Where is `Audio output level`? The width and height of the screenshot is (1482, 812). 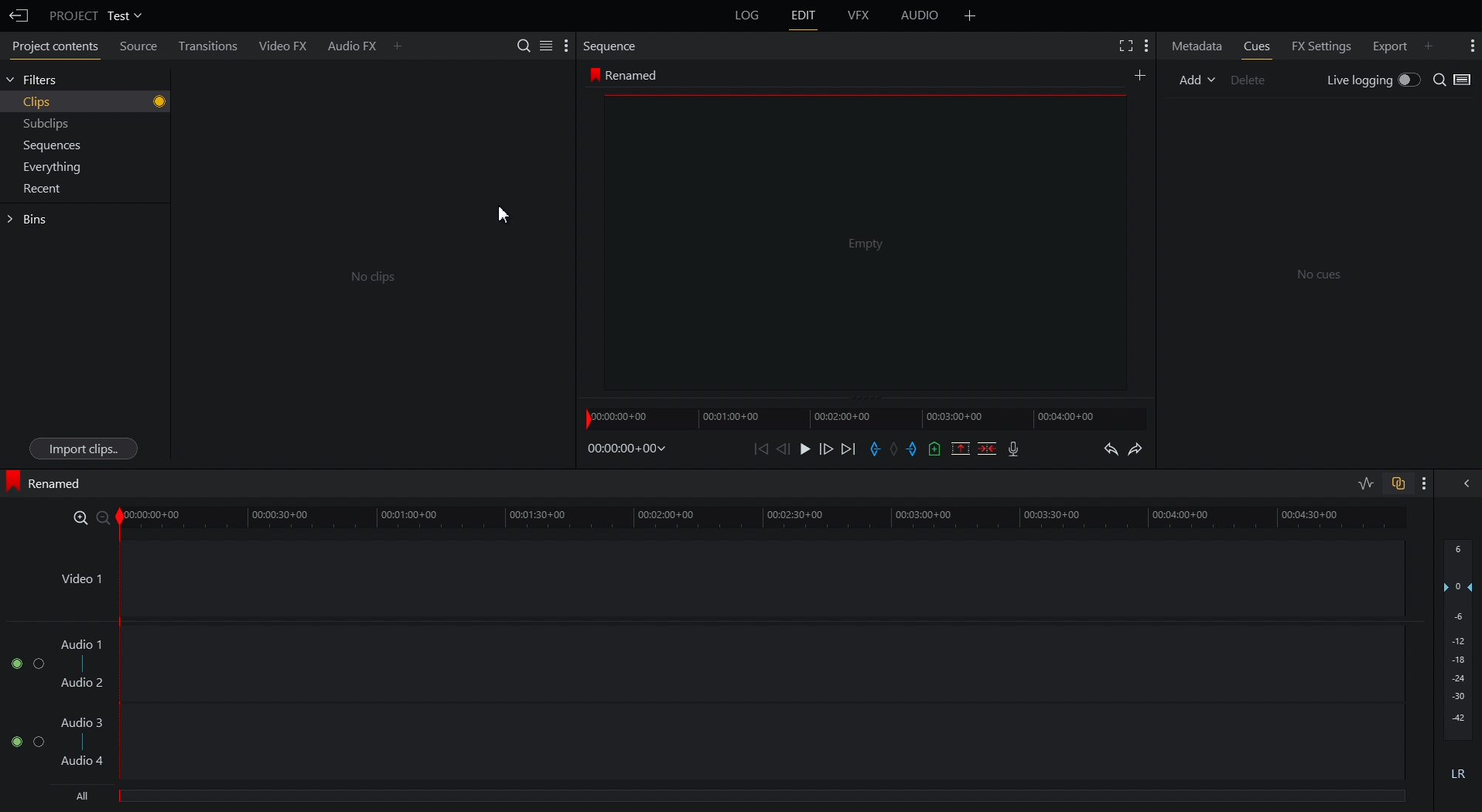
Audio output level is located at coordinates (1456, 668).